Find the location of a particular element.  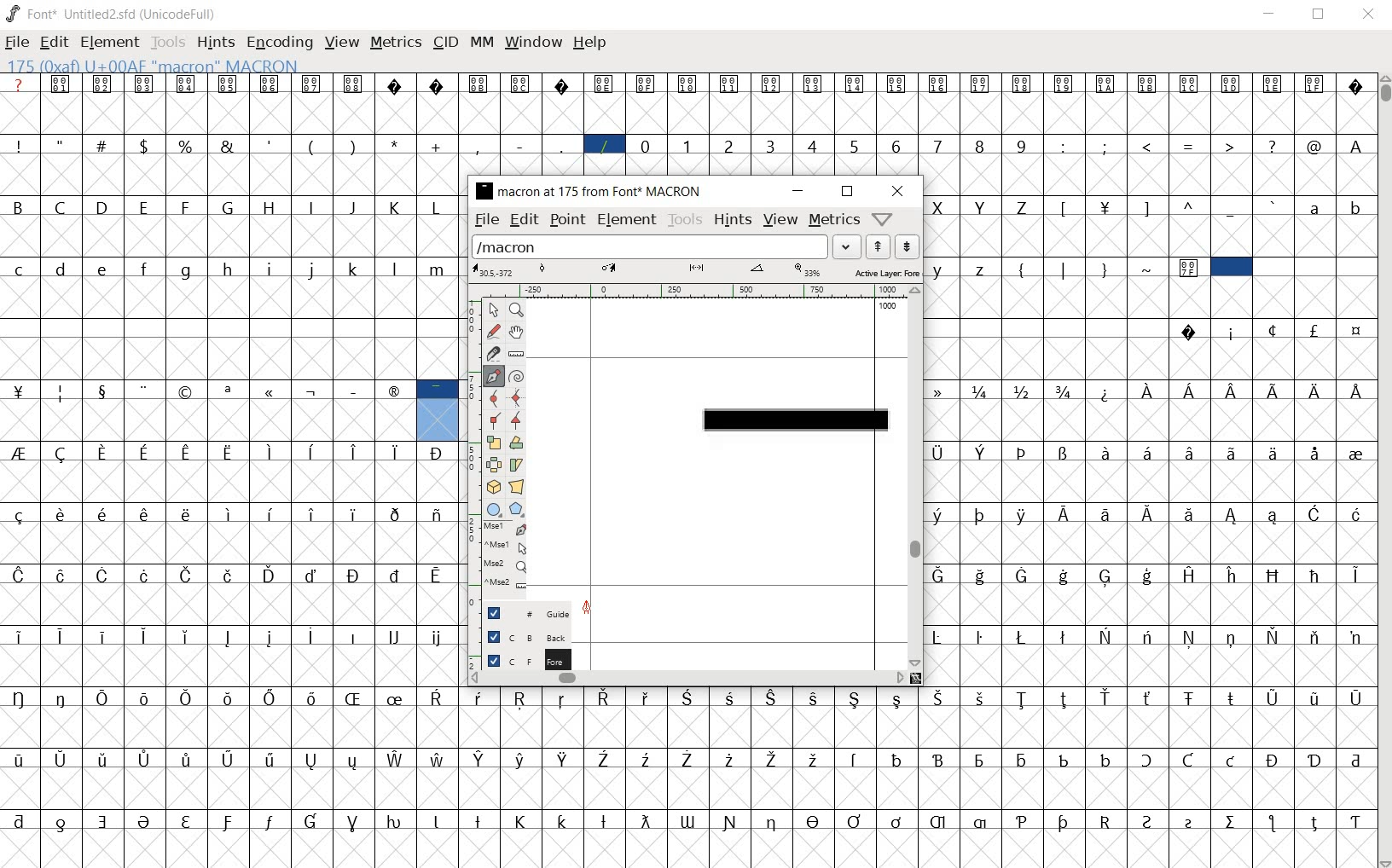

 is located at coordinates (1190, 758).